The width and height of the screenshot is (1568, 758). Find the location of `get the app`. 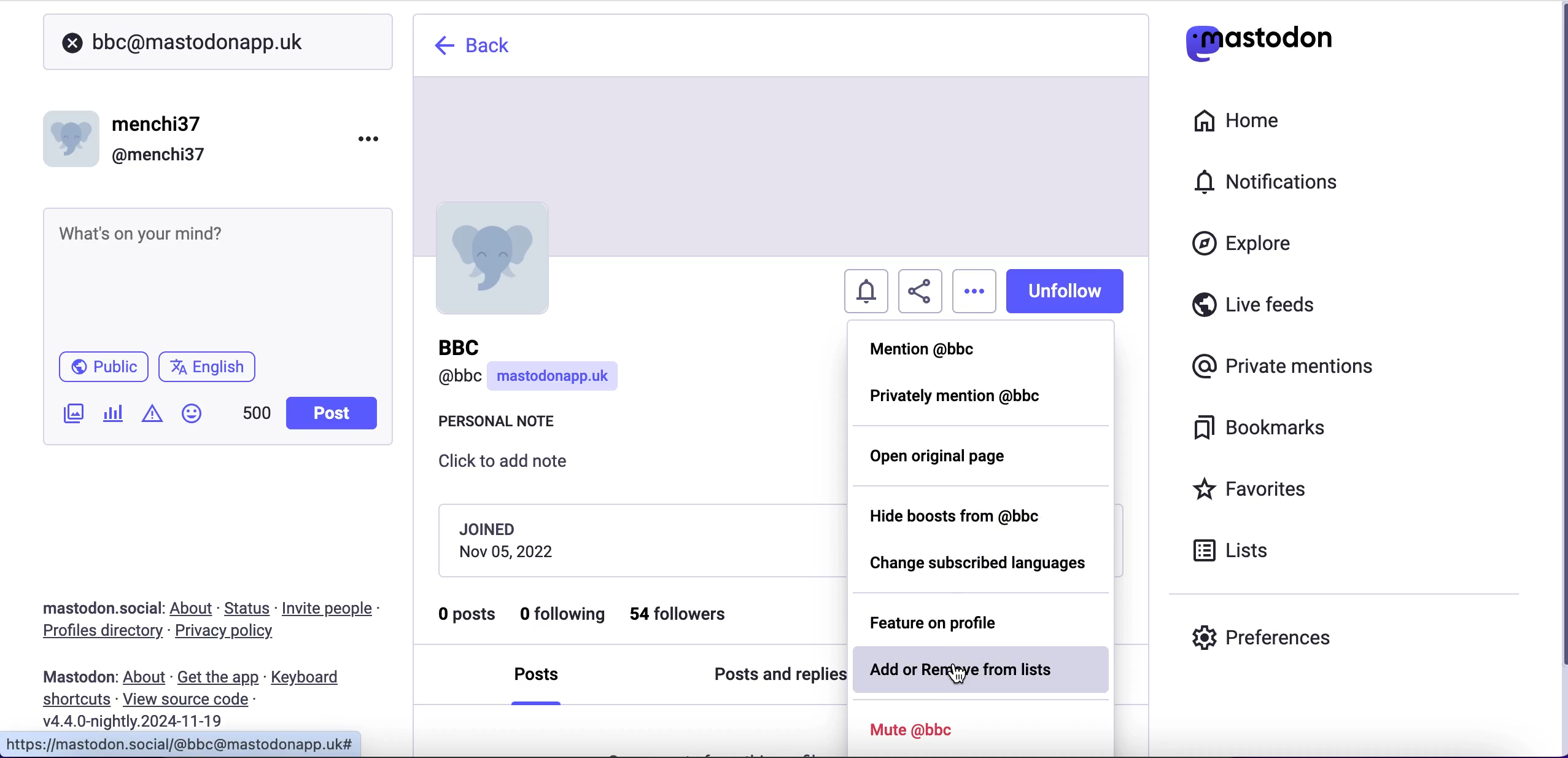

get the app is located at coordinates (217, 677).